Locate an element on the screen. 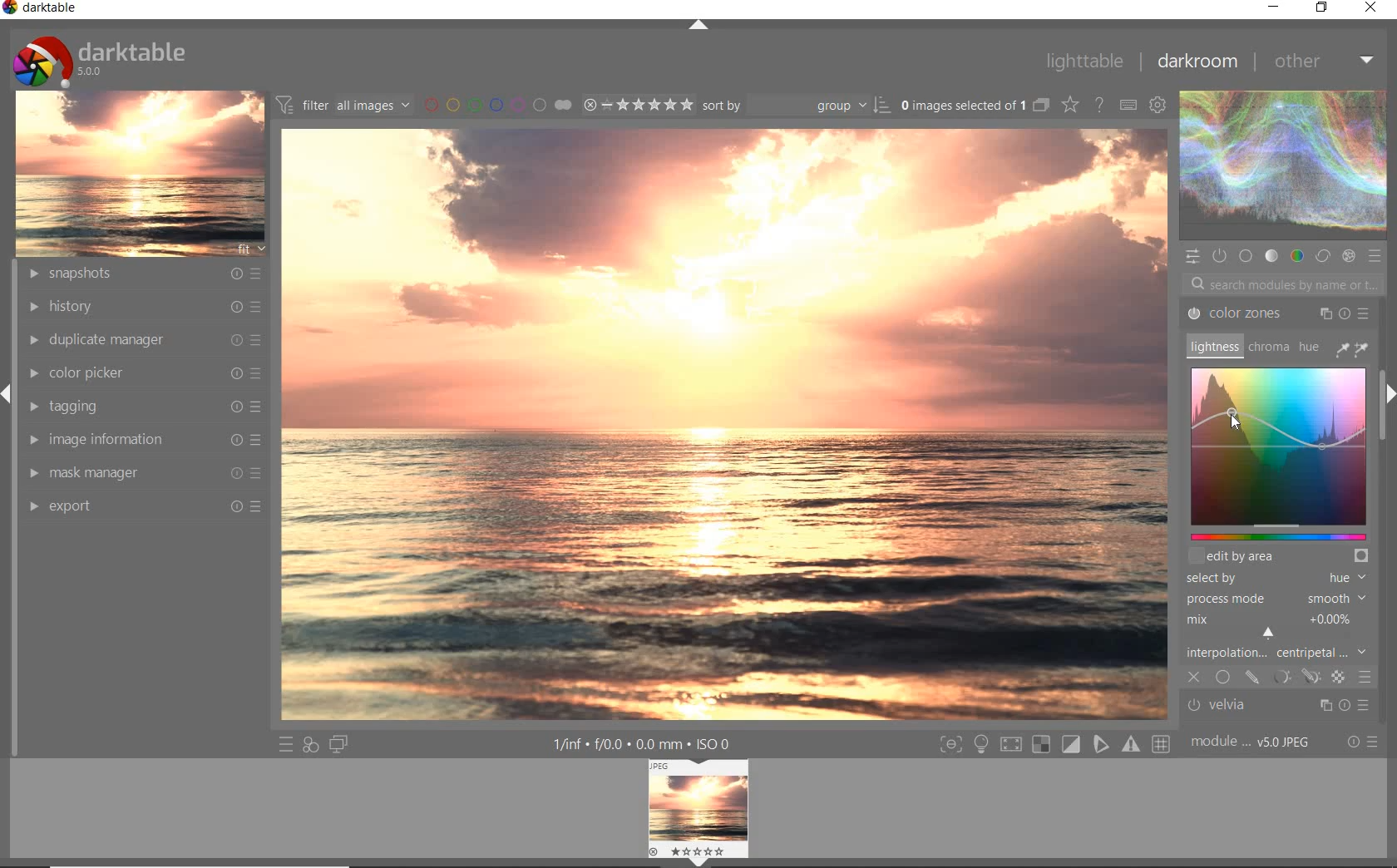  BASE is located at coordinates (1247, 256).